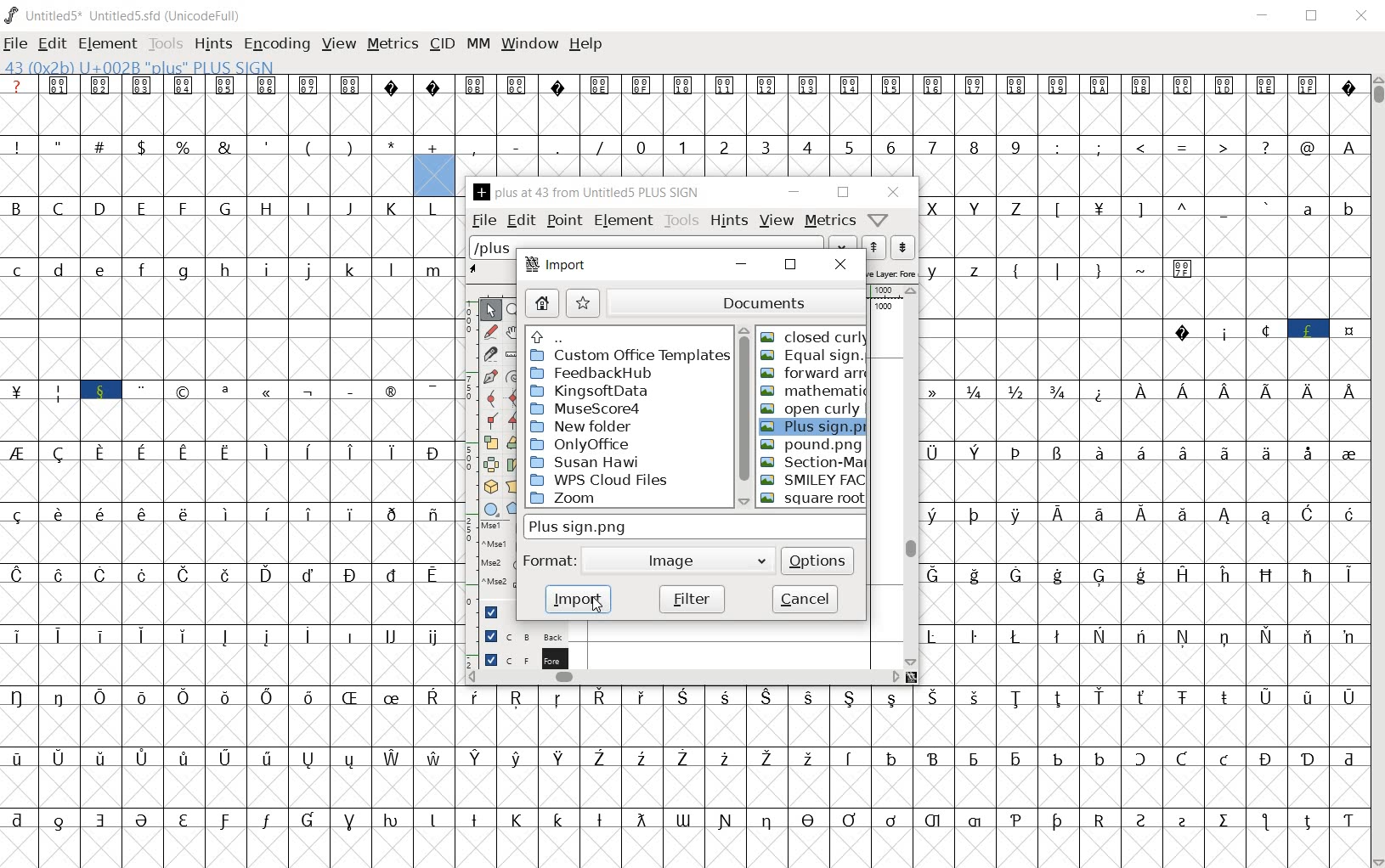 The width and height of the screenshot is (1385, 868). I want to click on OnlyOffice, so click(581, 444).